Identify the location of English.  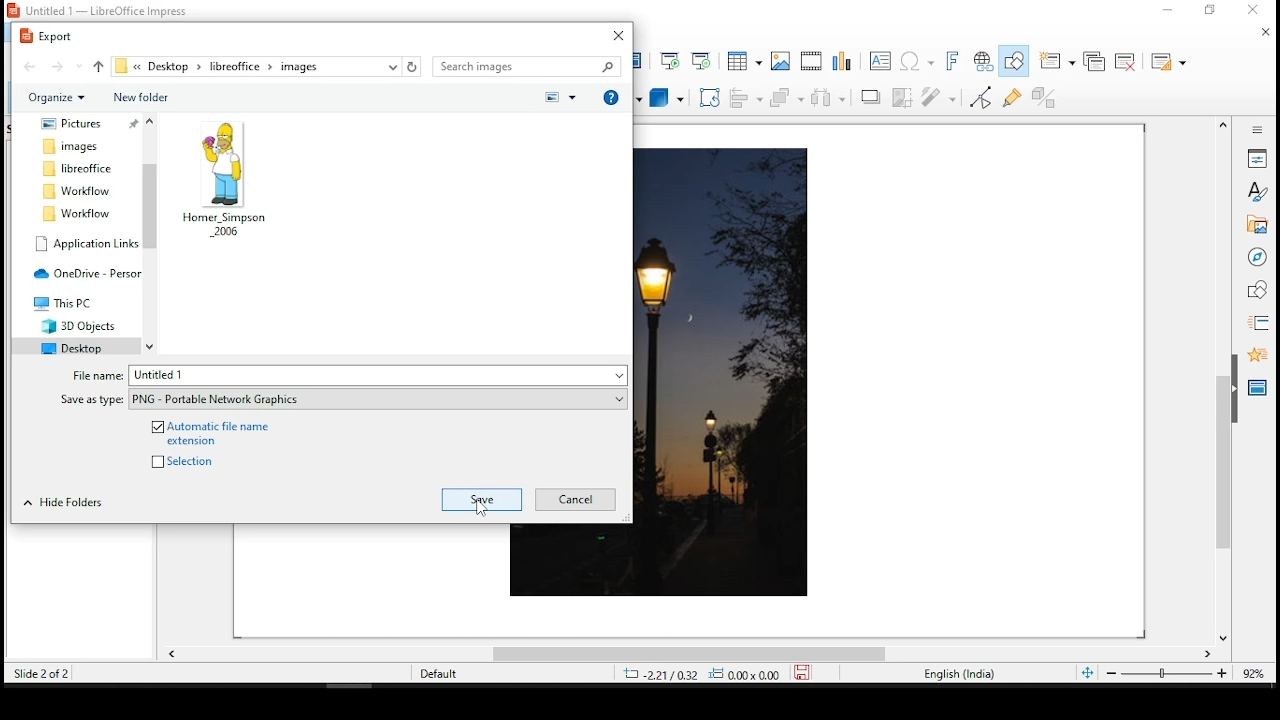
(958, 676).